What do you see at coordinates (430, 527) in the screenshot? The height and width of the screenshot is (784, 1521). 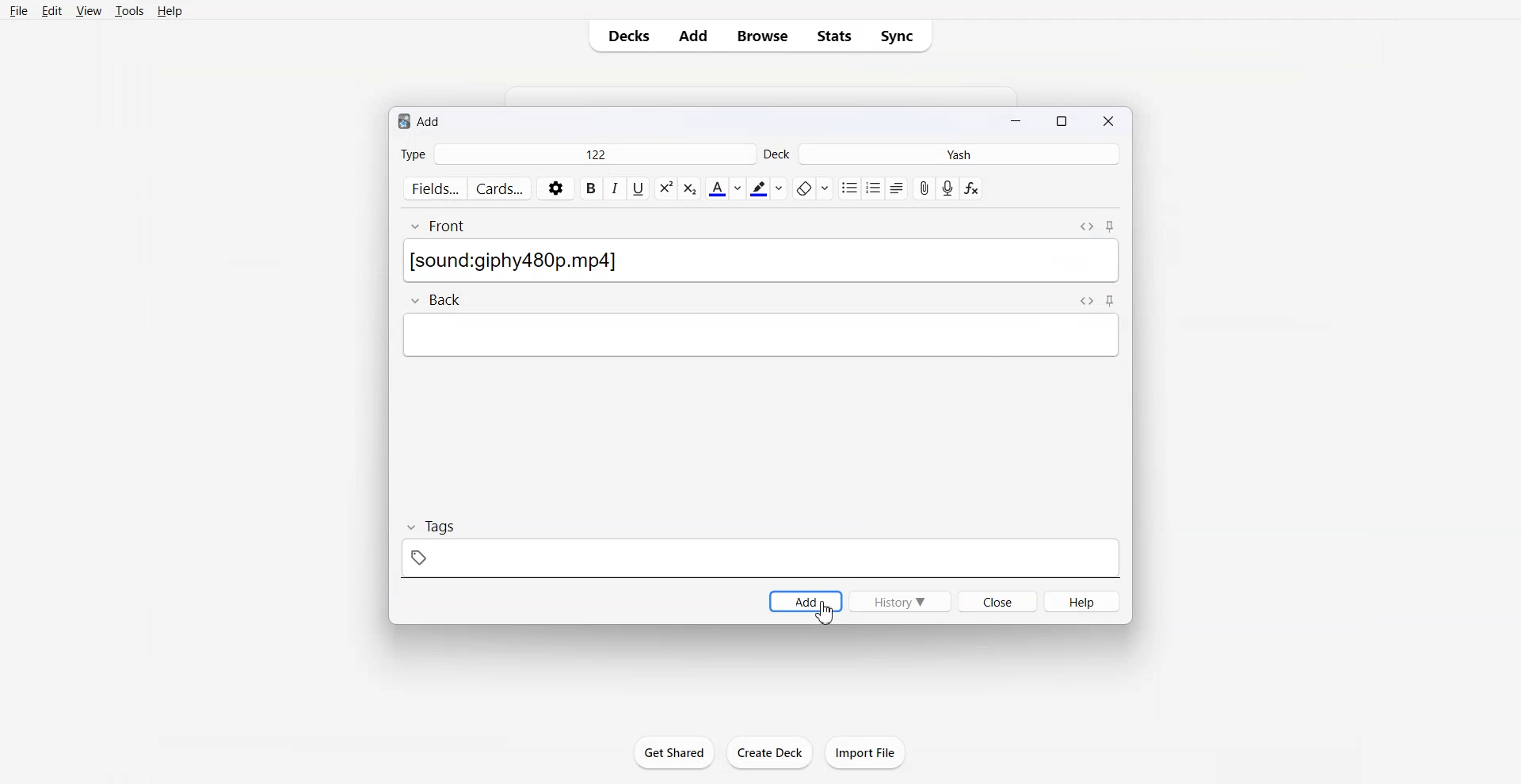 I see `Tags` at bounding box center [430, 527].